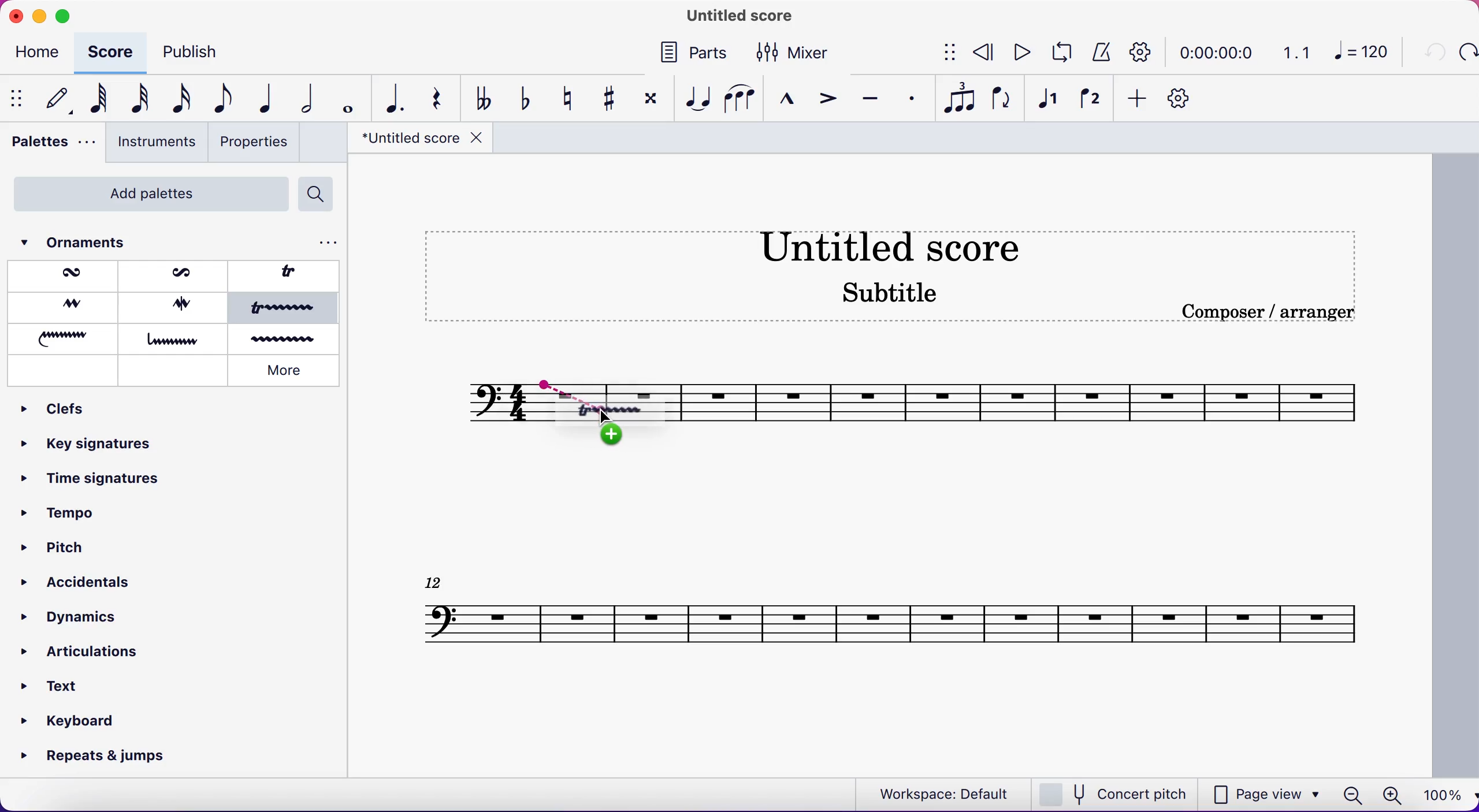 This screenshot has width=1479, height=812. What do you see at coordinates (1060, 54) in the screenshot?
I see `playback loop` at bounding box center [1060, 54].